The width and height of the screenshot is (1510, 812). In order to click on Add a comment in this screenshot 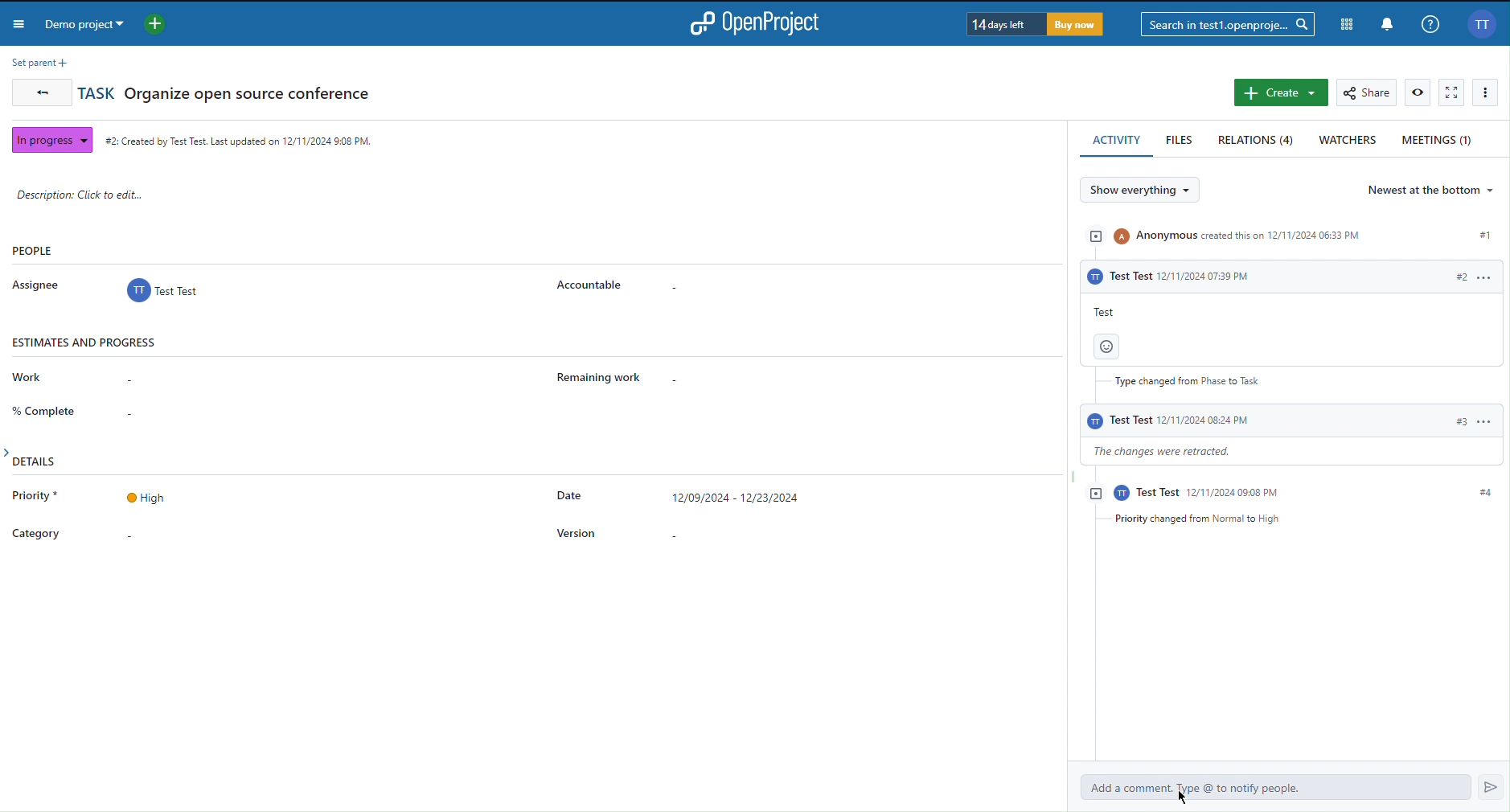, I will do `click(1288, 789)`.